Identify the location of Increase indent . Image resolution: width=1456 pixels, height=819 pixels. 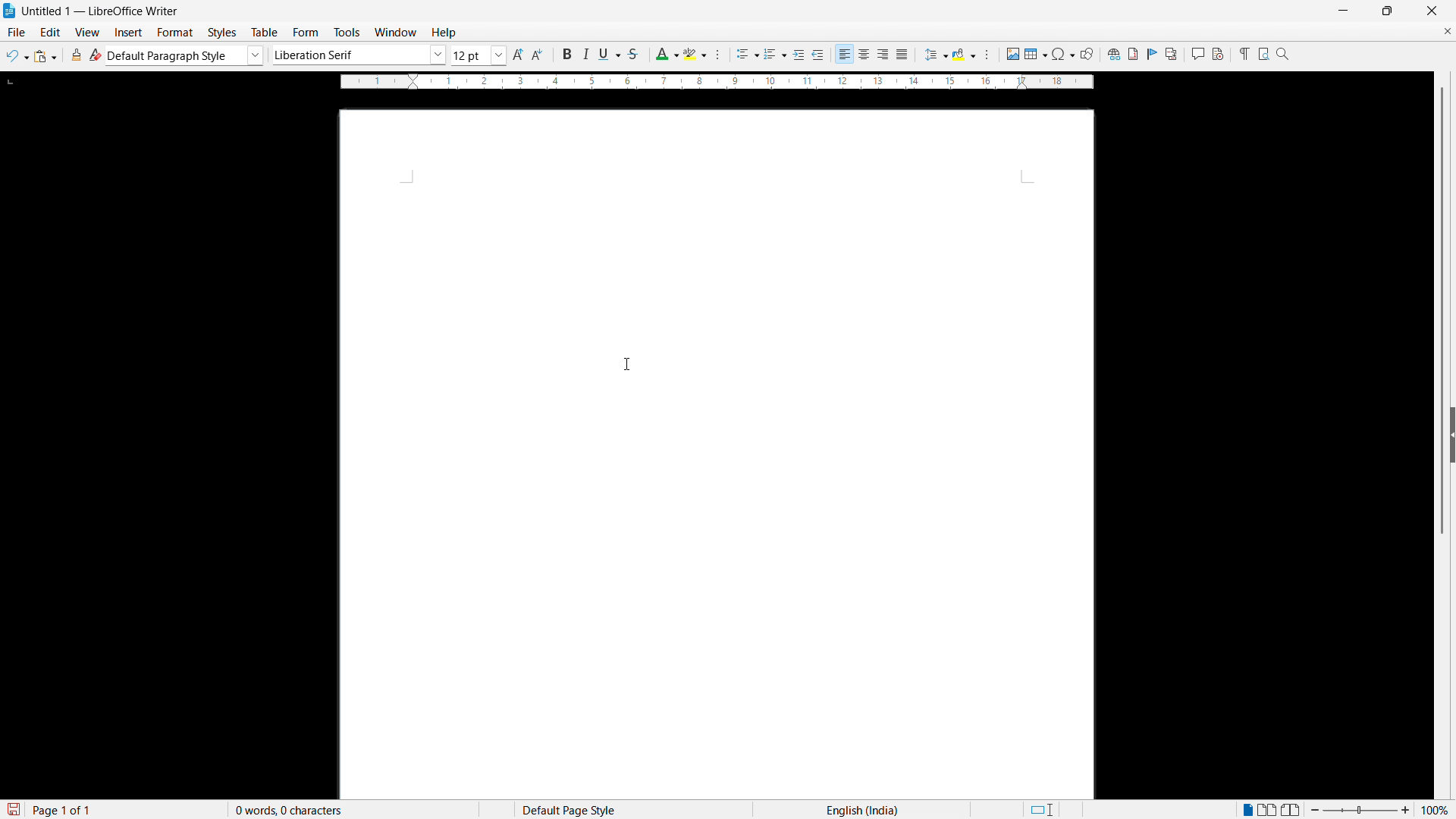
(799, 55).